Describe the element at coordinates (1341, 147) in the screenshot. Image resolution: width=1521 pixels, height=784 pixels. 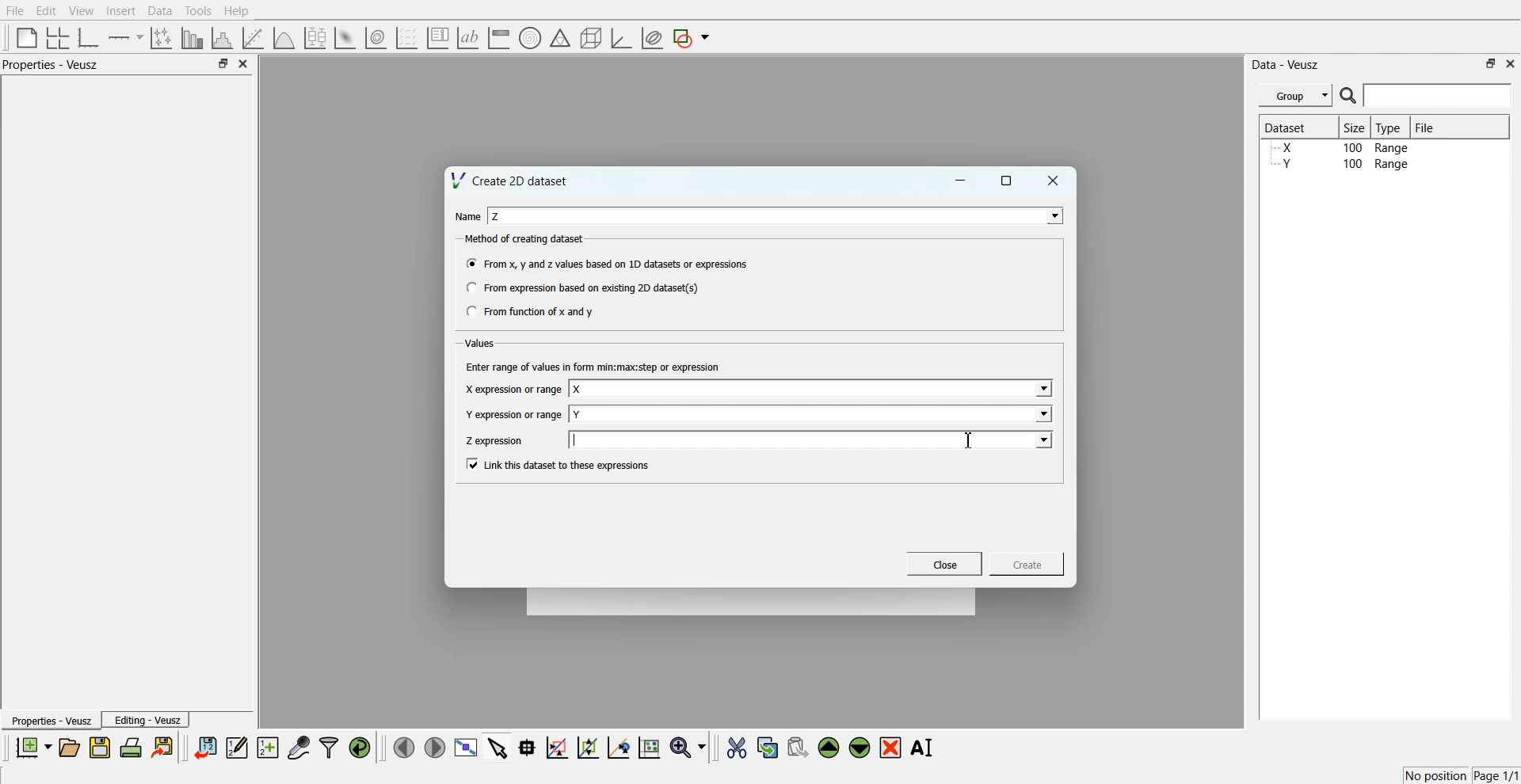
I see `X 100 Range` at that location.